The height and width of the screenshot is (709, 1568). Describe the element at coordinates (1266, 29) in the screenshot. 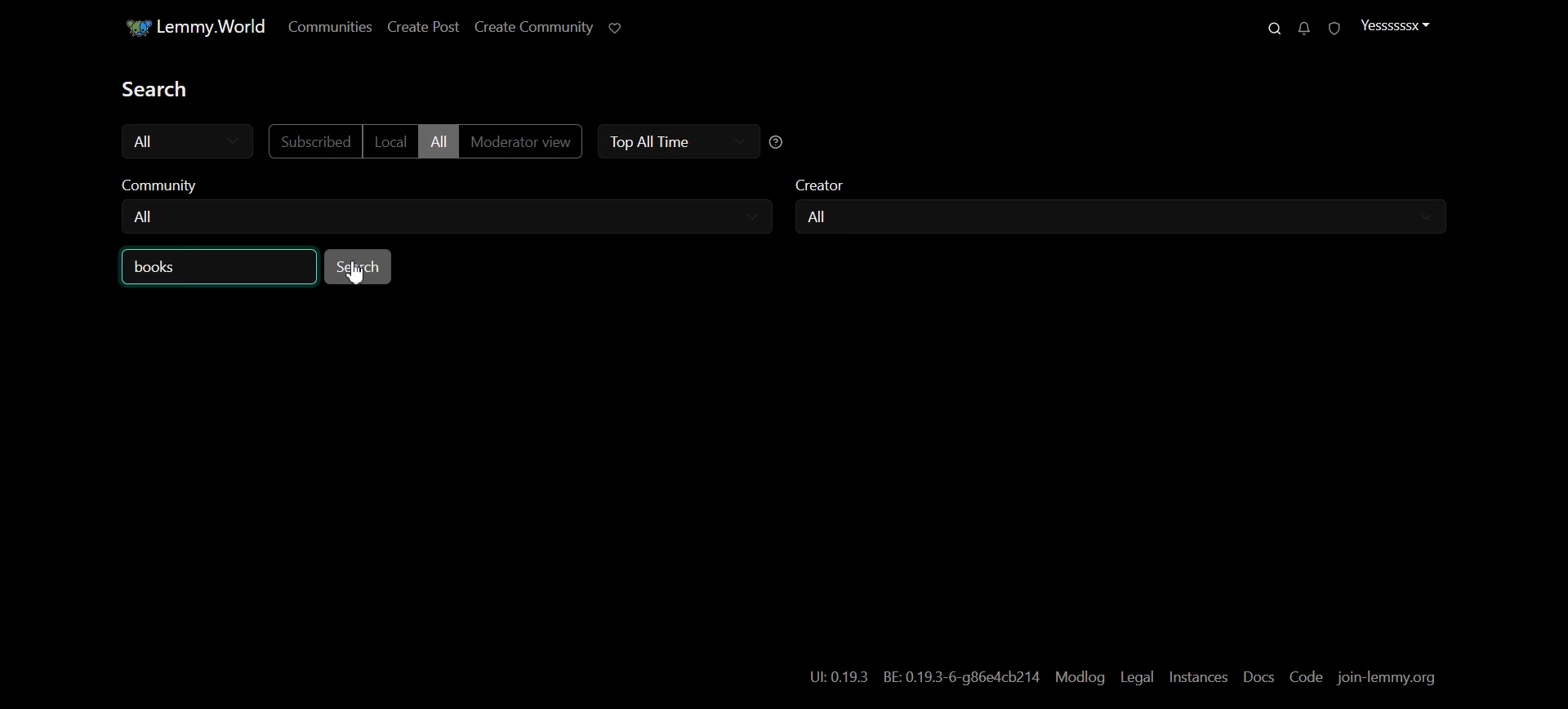

I see `Search` at that location.